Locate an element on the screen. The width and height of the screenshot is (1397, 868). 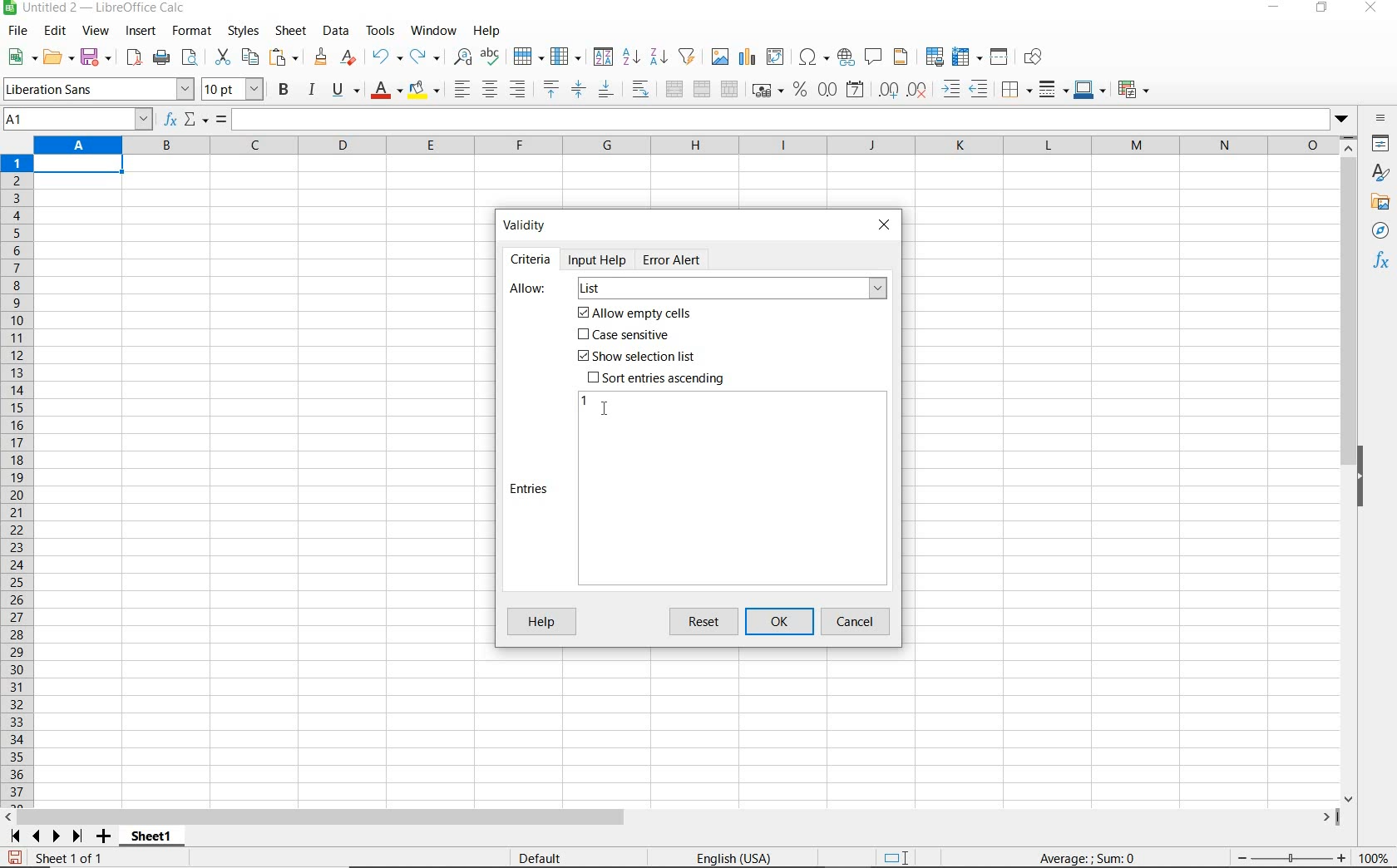
Sort entries ascending is located at coordinates (657, 377).